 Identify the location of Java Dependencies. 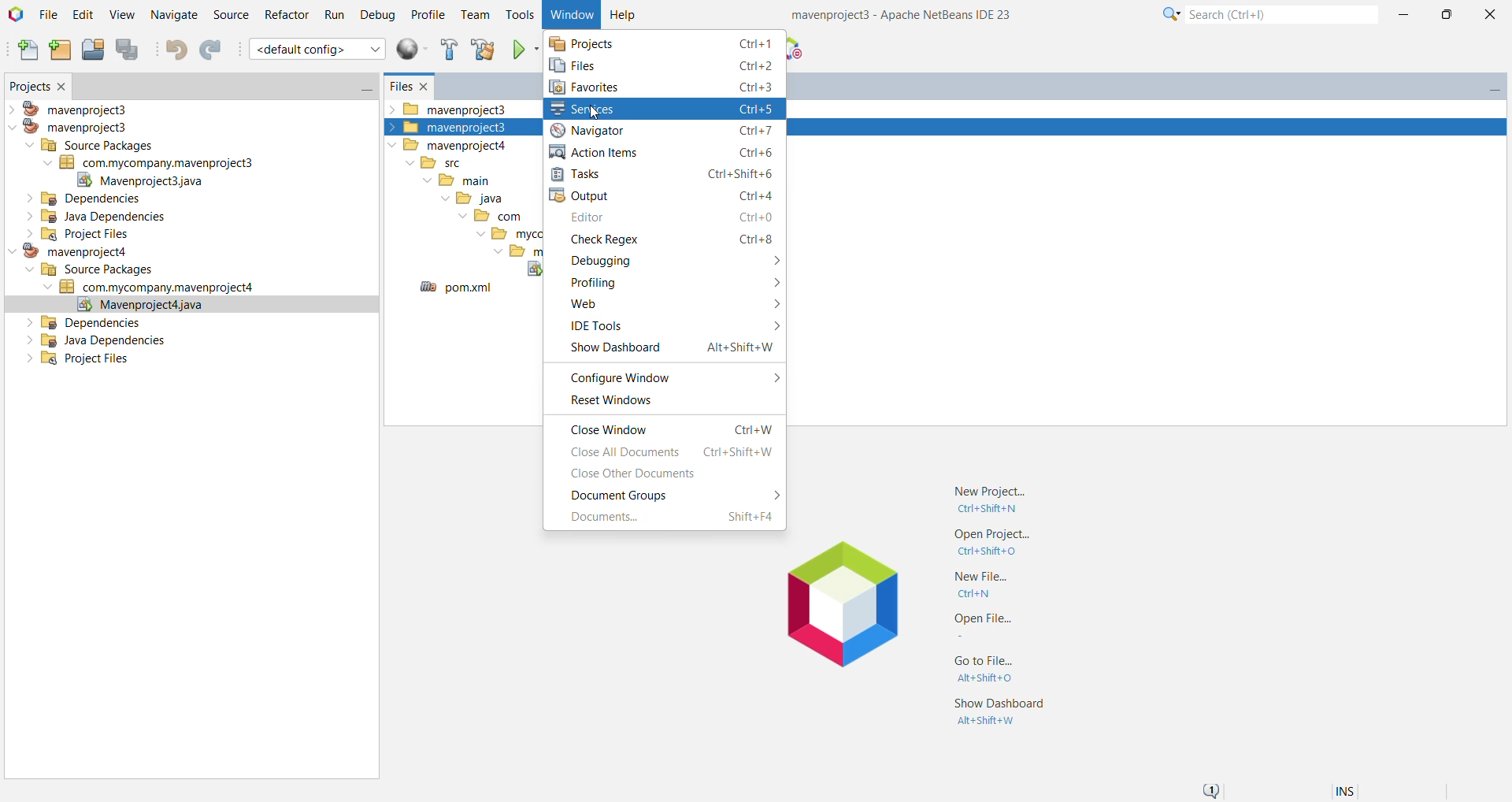
(91, 217).